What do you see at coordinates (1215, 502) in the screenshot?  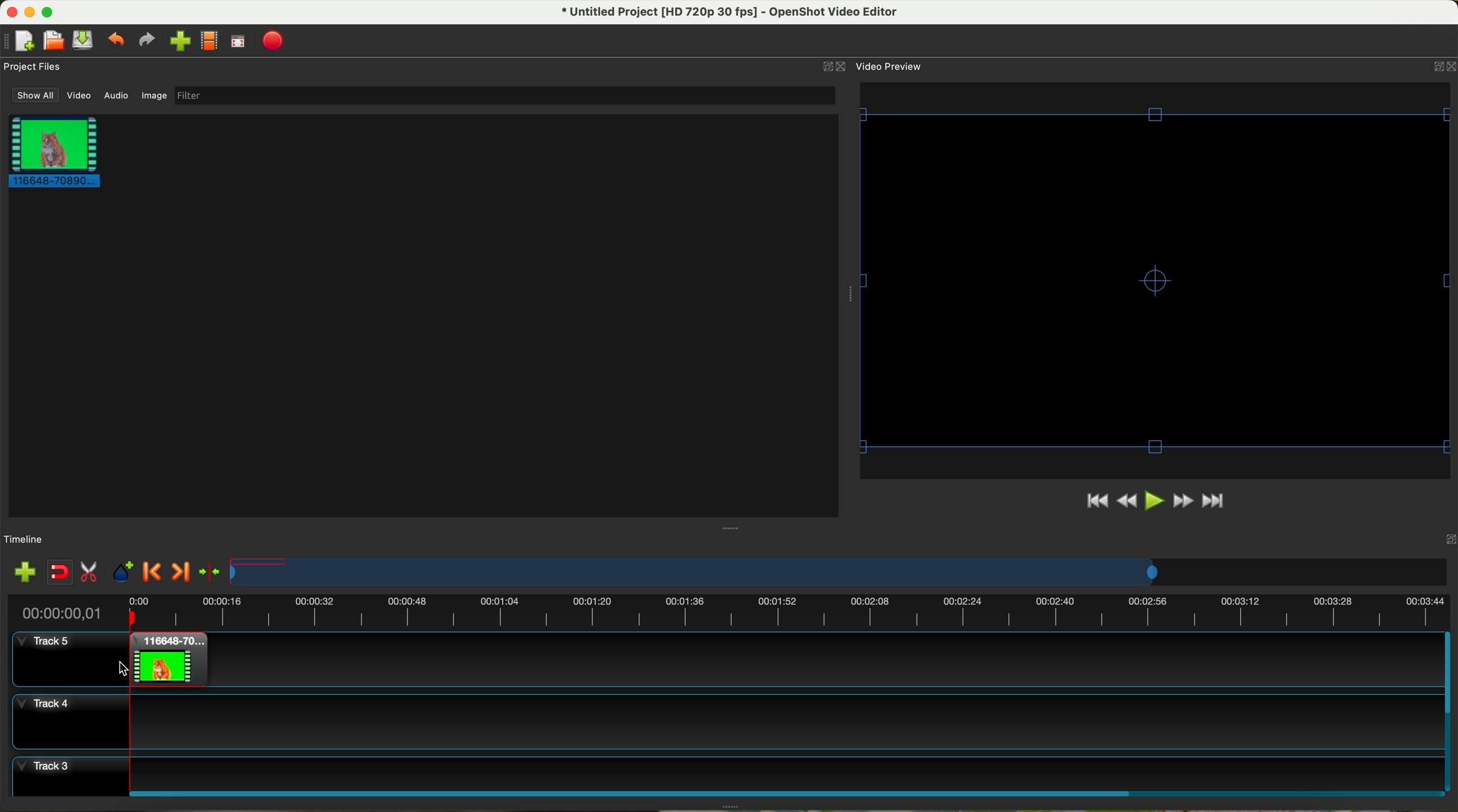 I see `jump to end` at bounding box center [1215, 502].